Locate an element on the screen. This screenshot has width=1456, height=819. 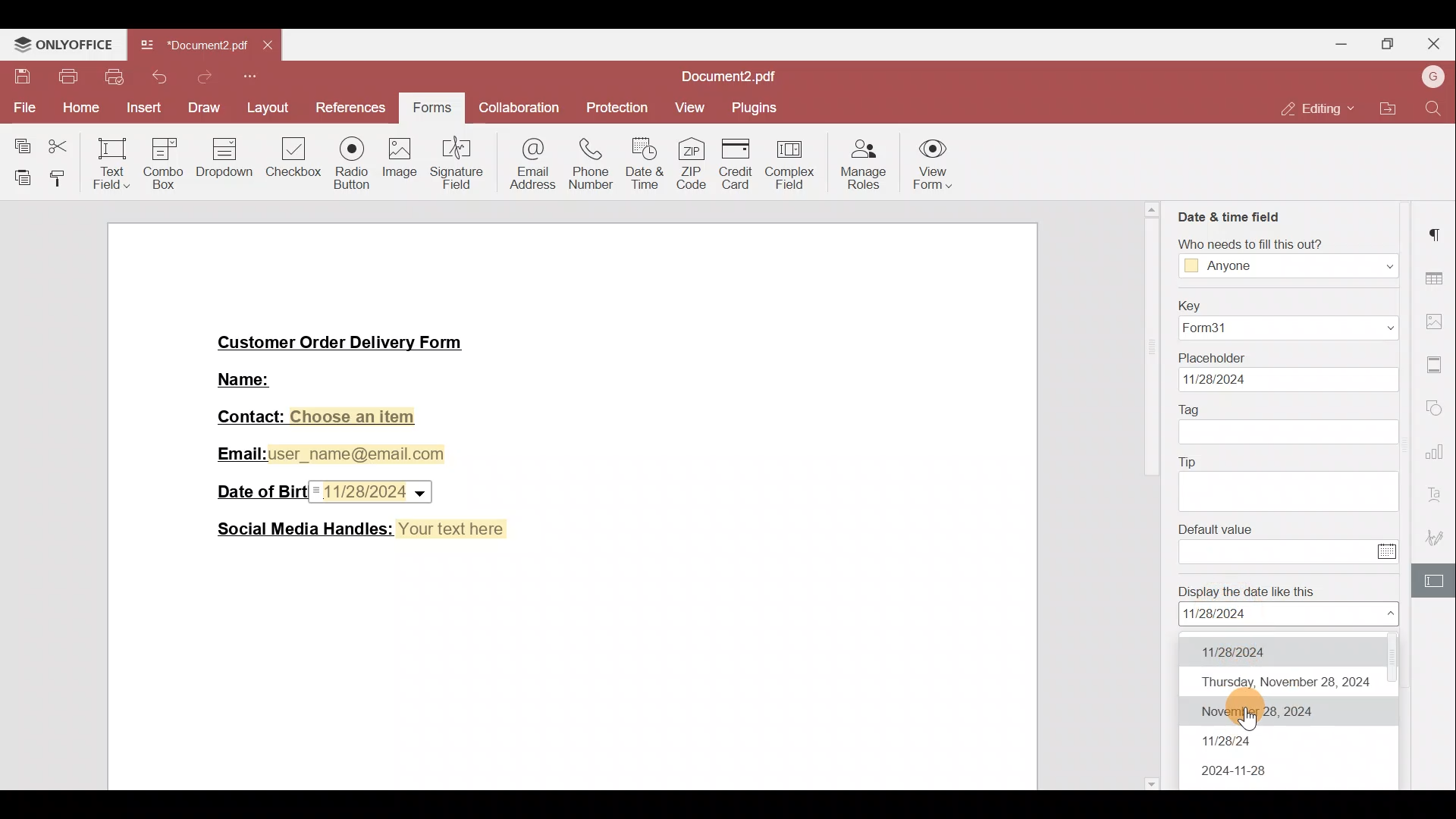
Protection is located at coordinates (622, 108).